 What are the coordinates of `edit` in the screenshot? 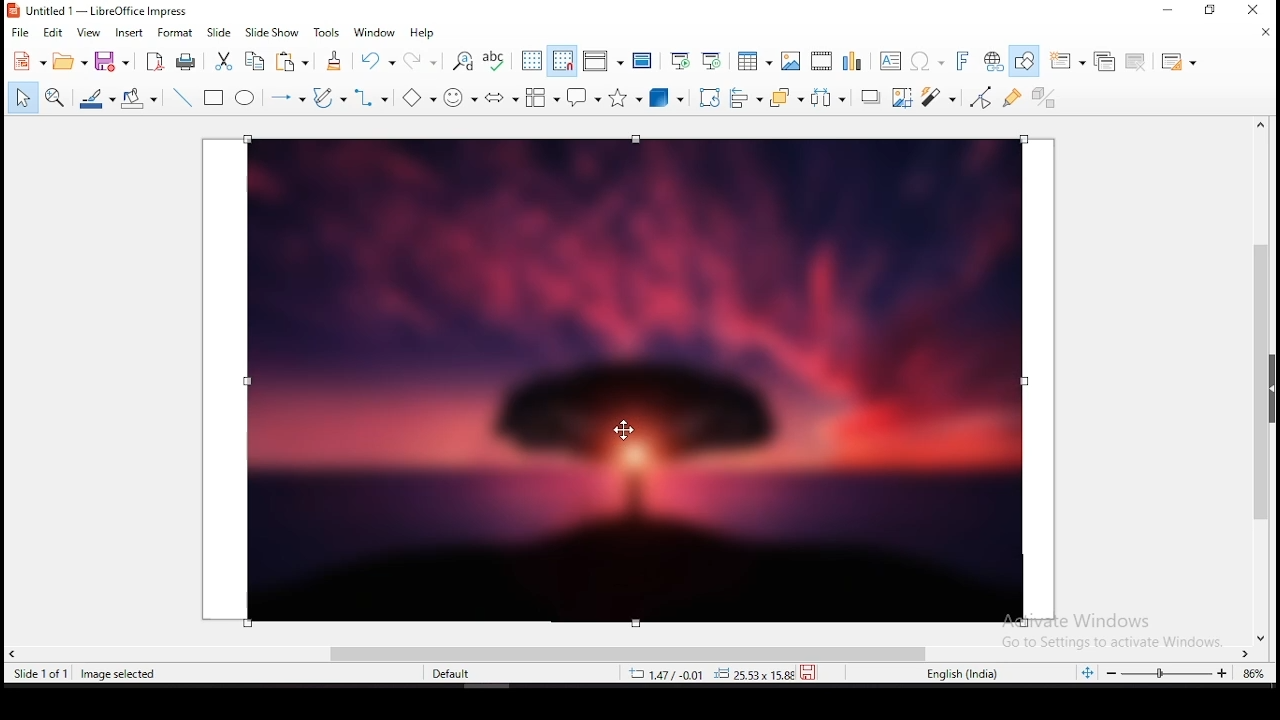 It's located at (55, 33).